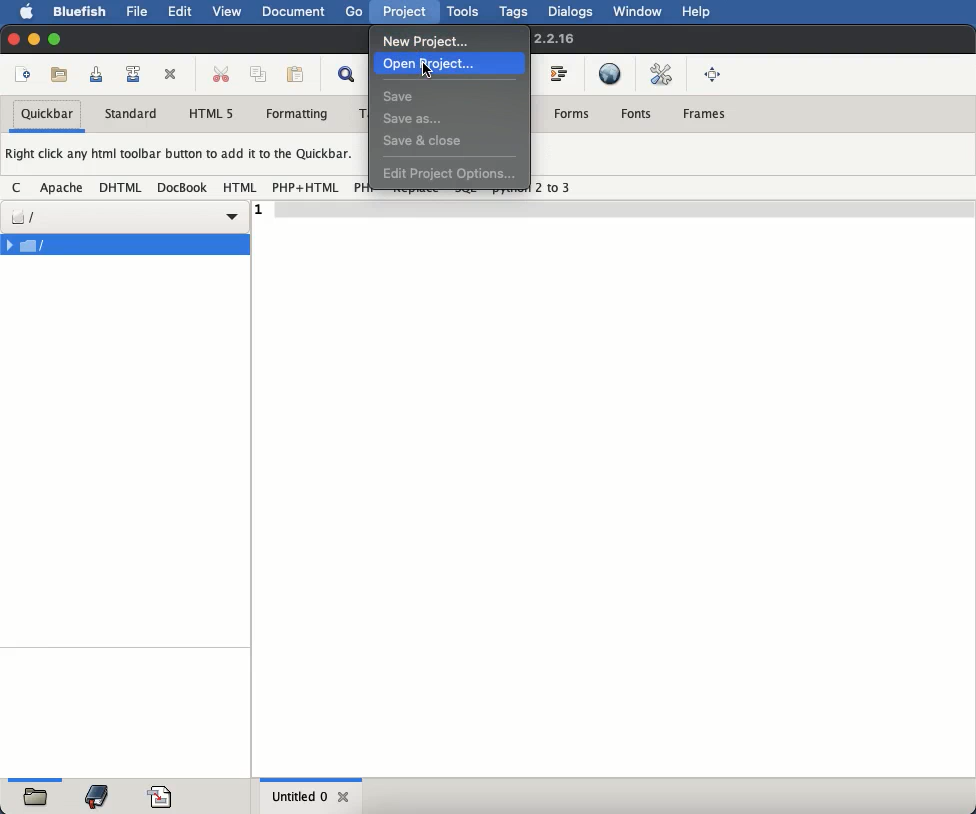  What do you see at coordinates (38, 798) in the screenshot?
I see `folder` at bounding box center [38, 798].